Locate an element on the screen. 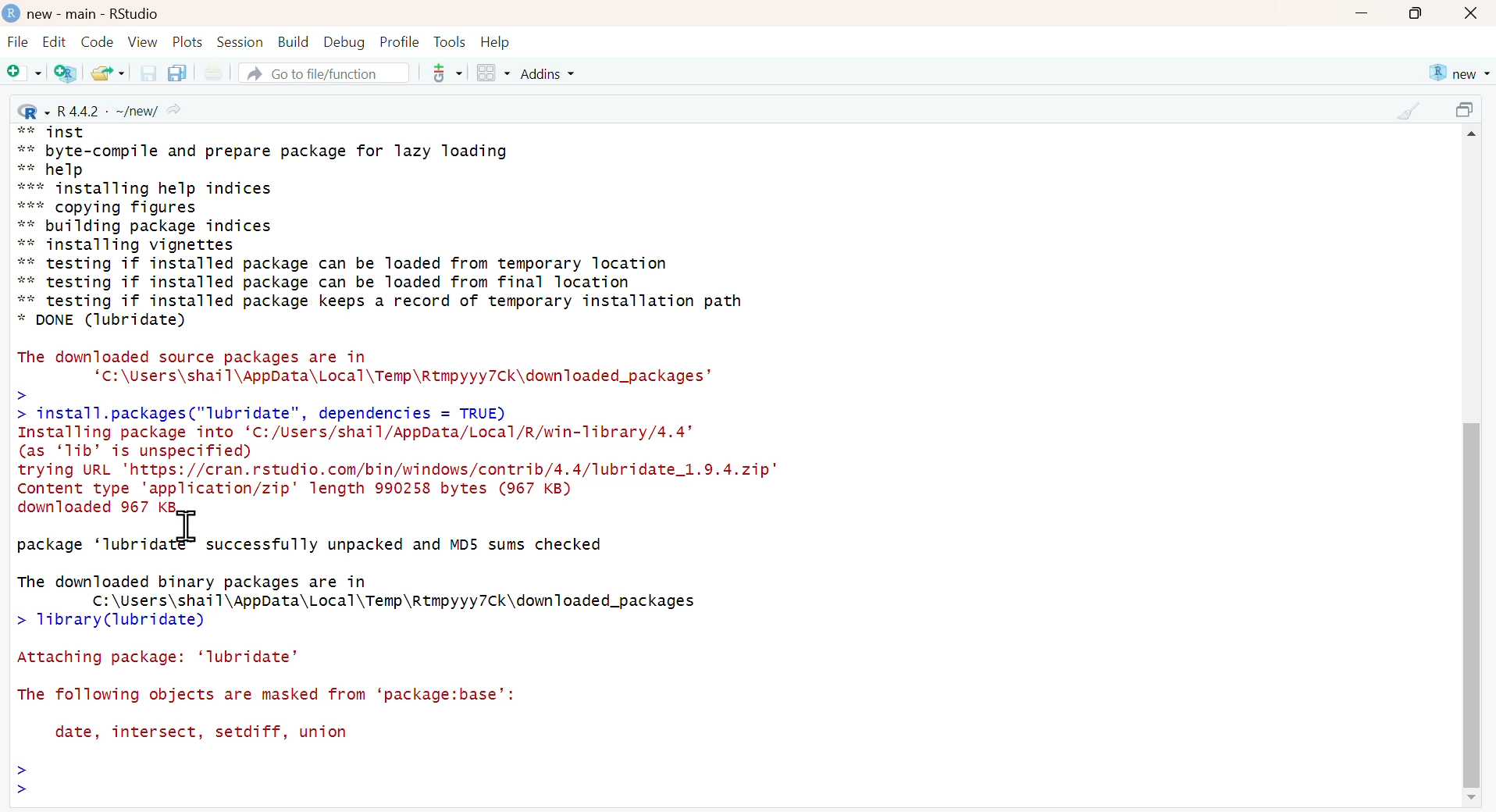 This screenshot has height=812, width=1496. Tools is located at coordinates (450, 41).